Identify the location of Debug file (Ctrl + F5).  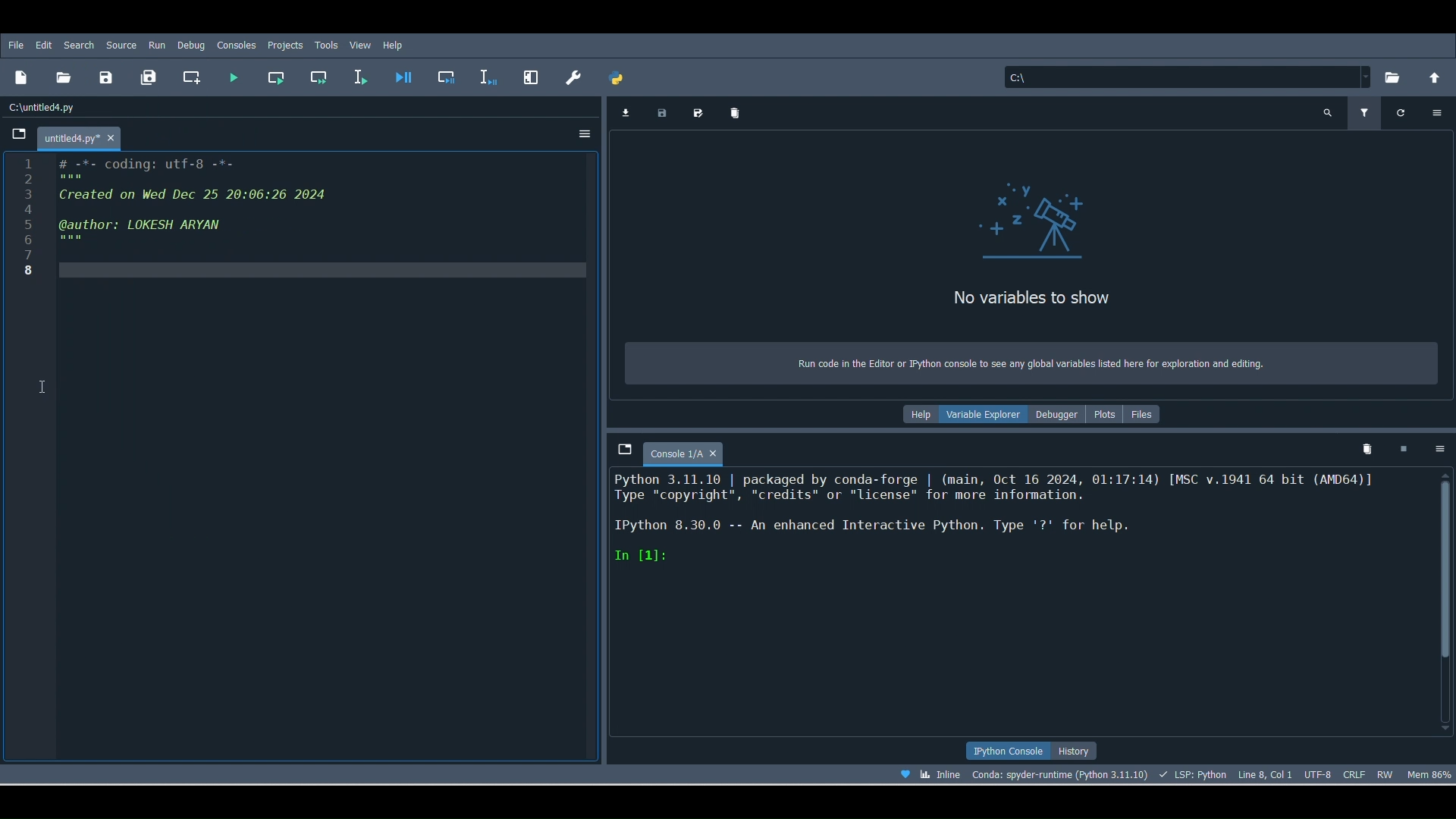
(406, 76).